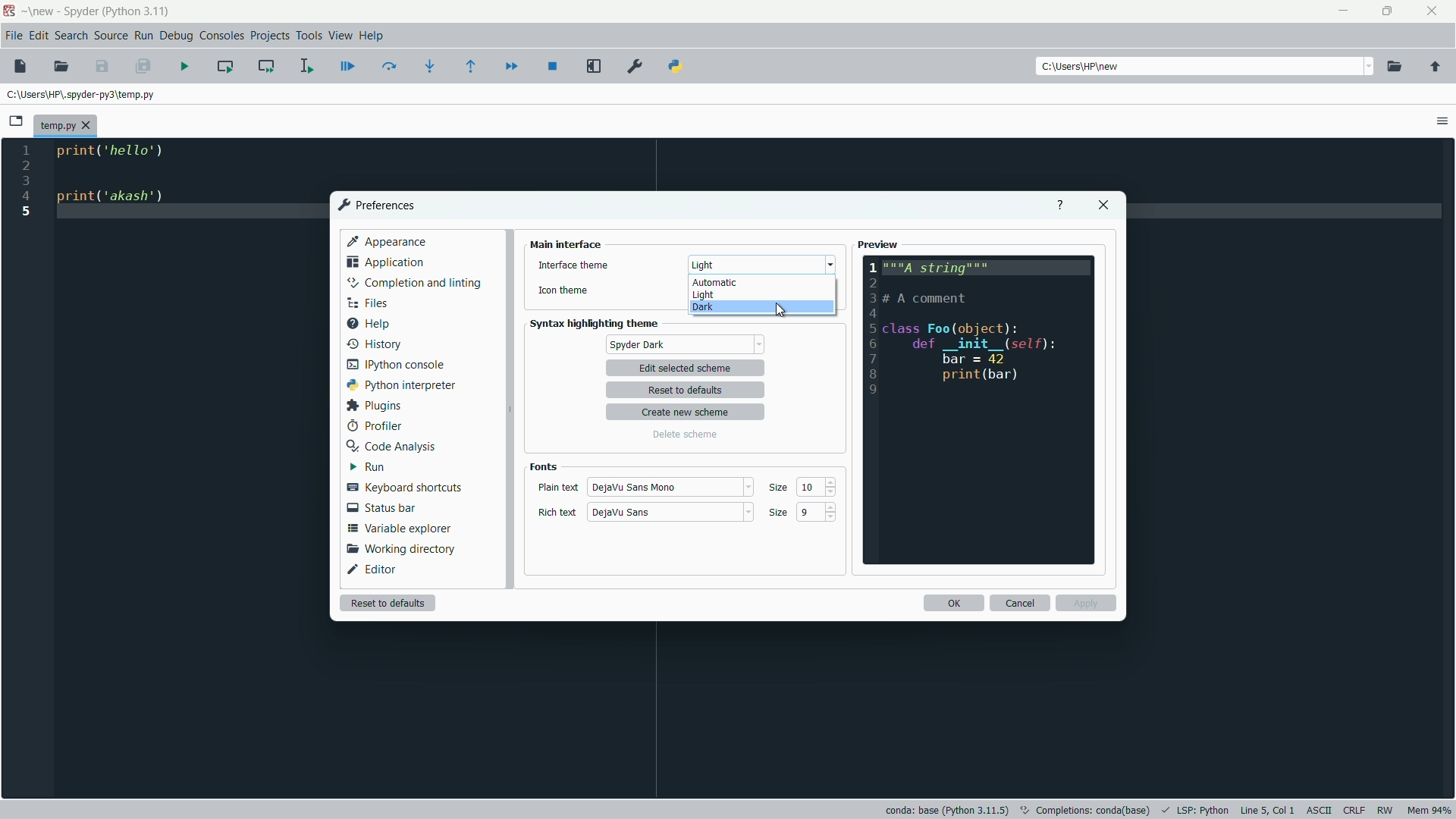  I want to click on step into function, so click(431, 65).